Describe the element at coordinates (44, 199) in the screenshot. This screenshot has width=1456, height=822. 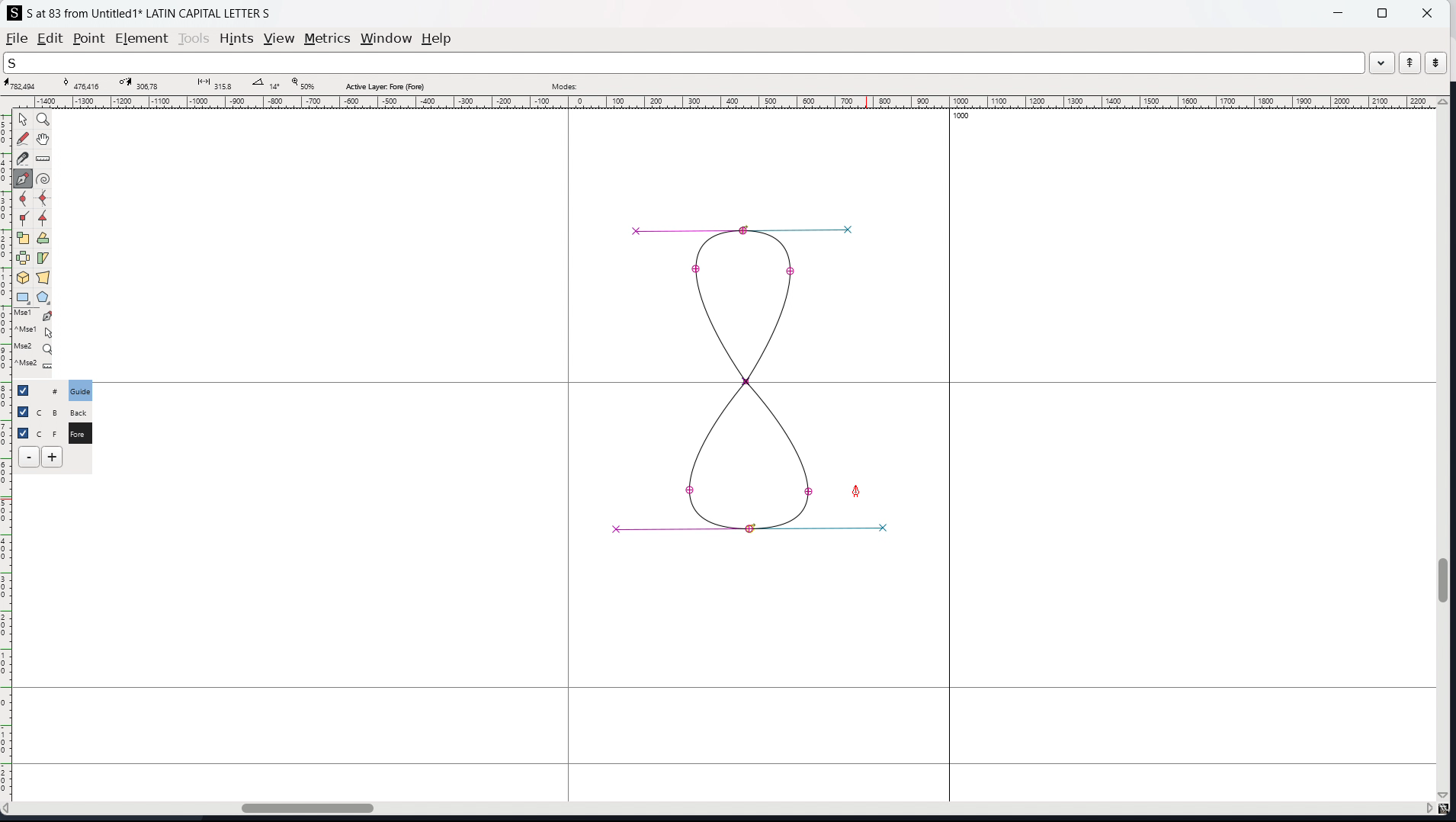
I see `add a curve point always either vertically or horizontally` at that location.